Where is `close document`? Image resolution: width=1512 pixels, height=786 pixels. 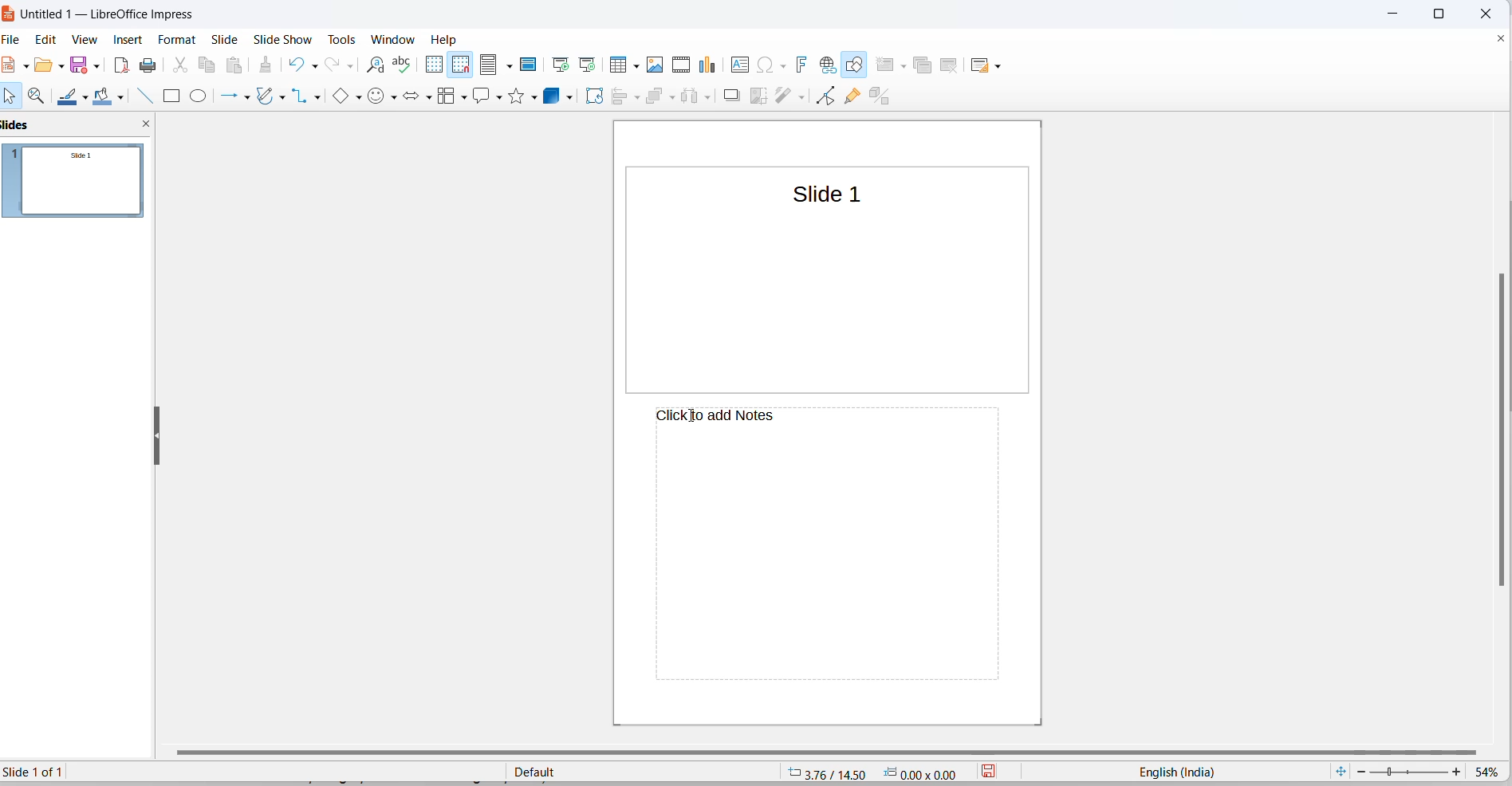
close document is located at coordinates (1501, 39).